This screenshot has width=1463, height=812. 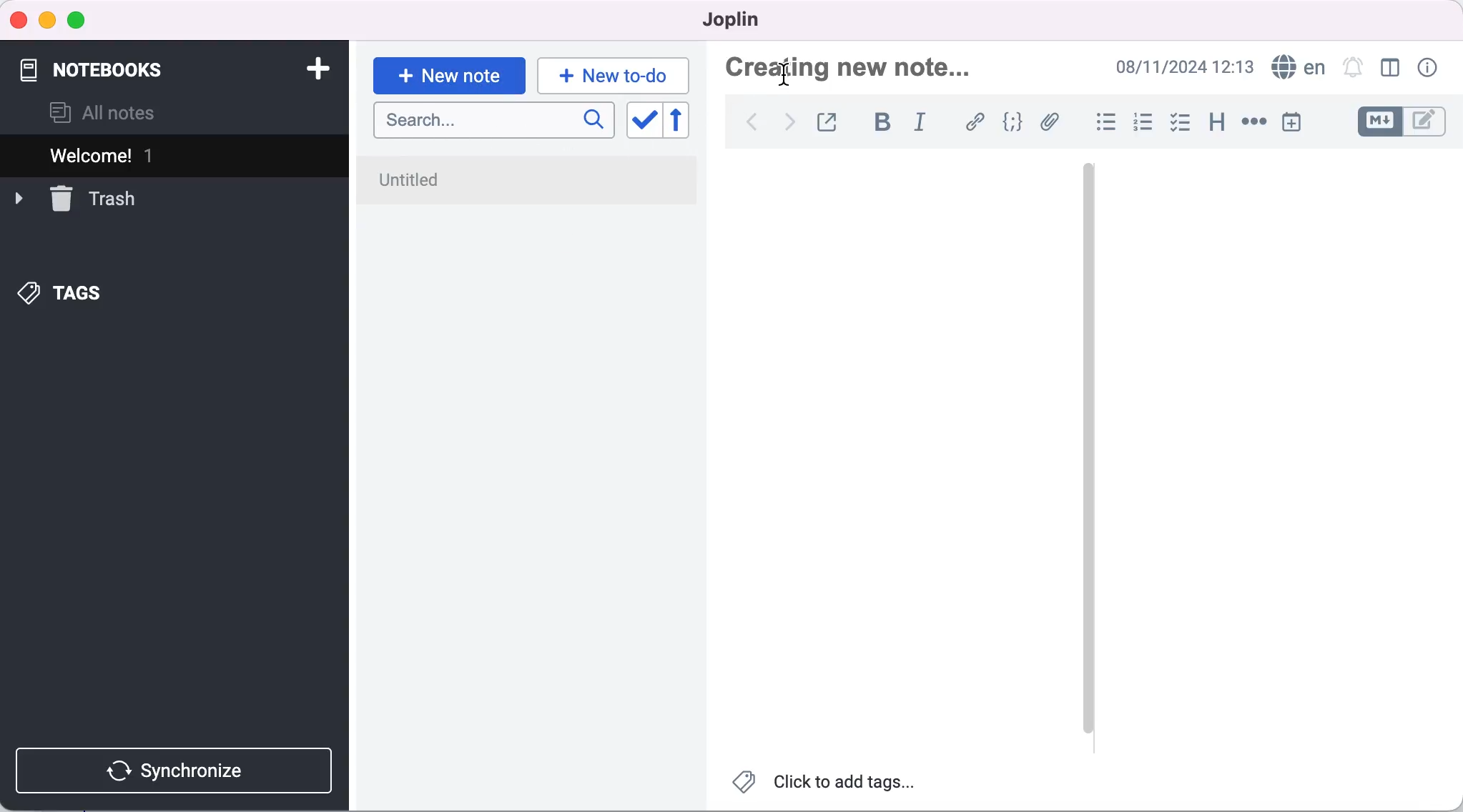 What do you see at coordinates (977, 122) in the screenshot?
I see `hyperlink` at bounding box center [977, 122].